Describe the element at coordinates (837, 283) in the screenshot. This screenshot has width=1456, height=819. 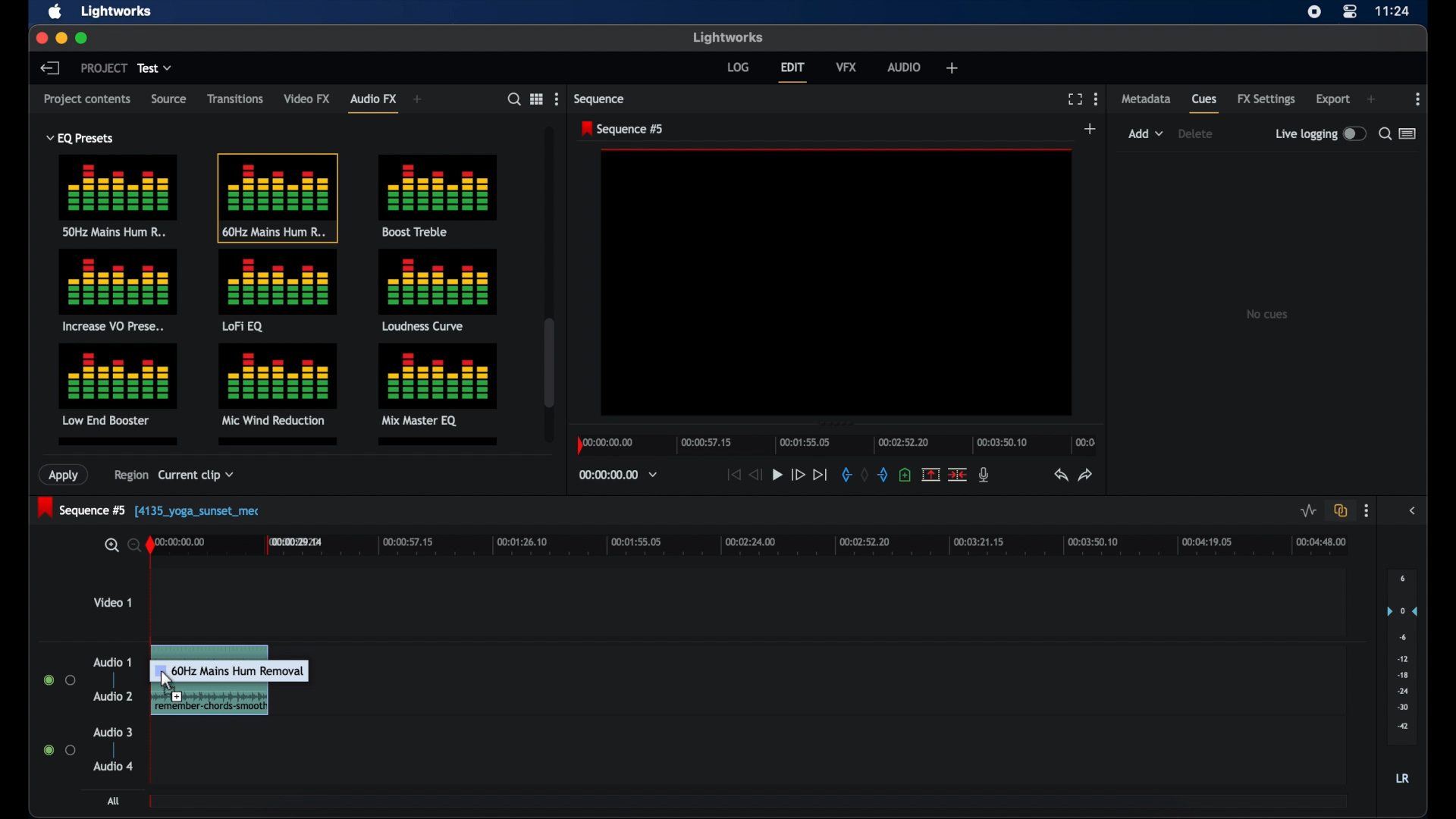
I see `video preview` at that location.